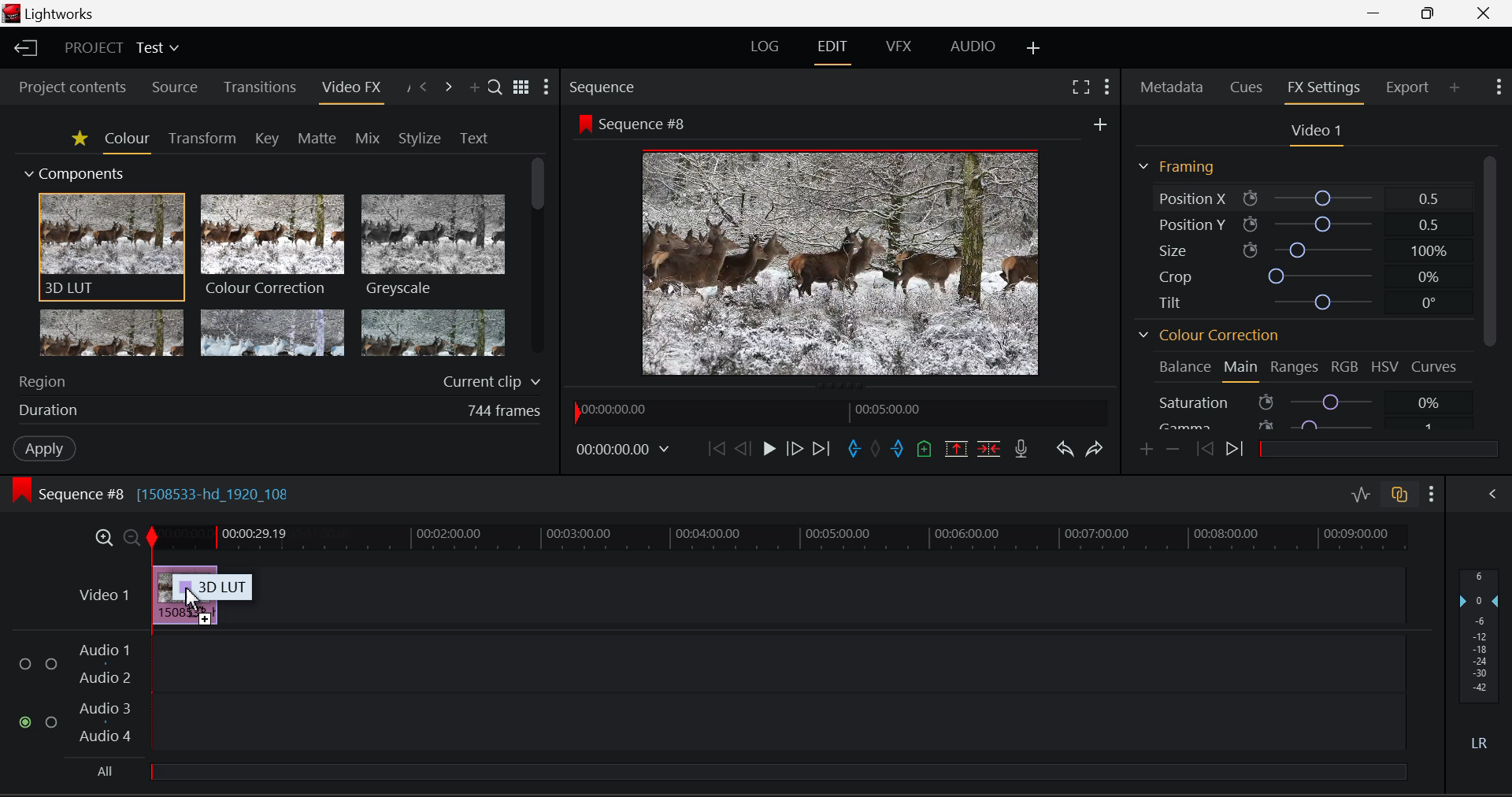 The image size is (1512, 797). What do you see at coordinates (1205, 450) in the screenshot?
I see `Previous keyframe` at bounding box center [1205, 450].